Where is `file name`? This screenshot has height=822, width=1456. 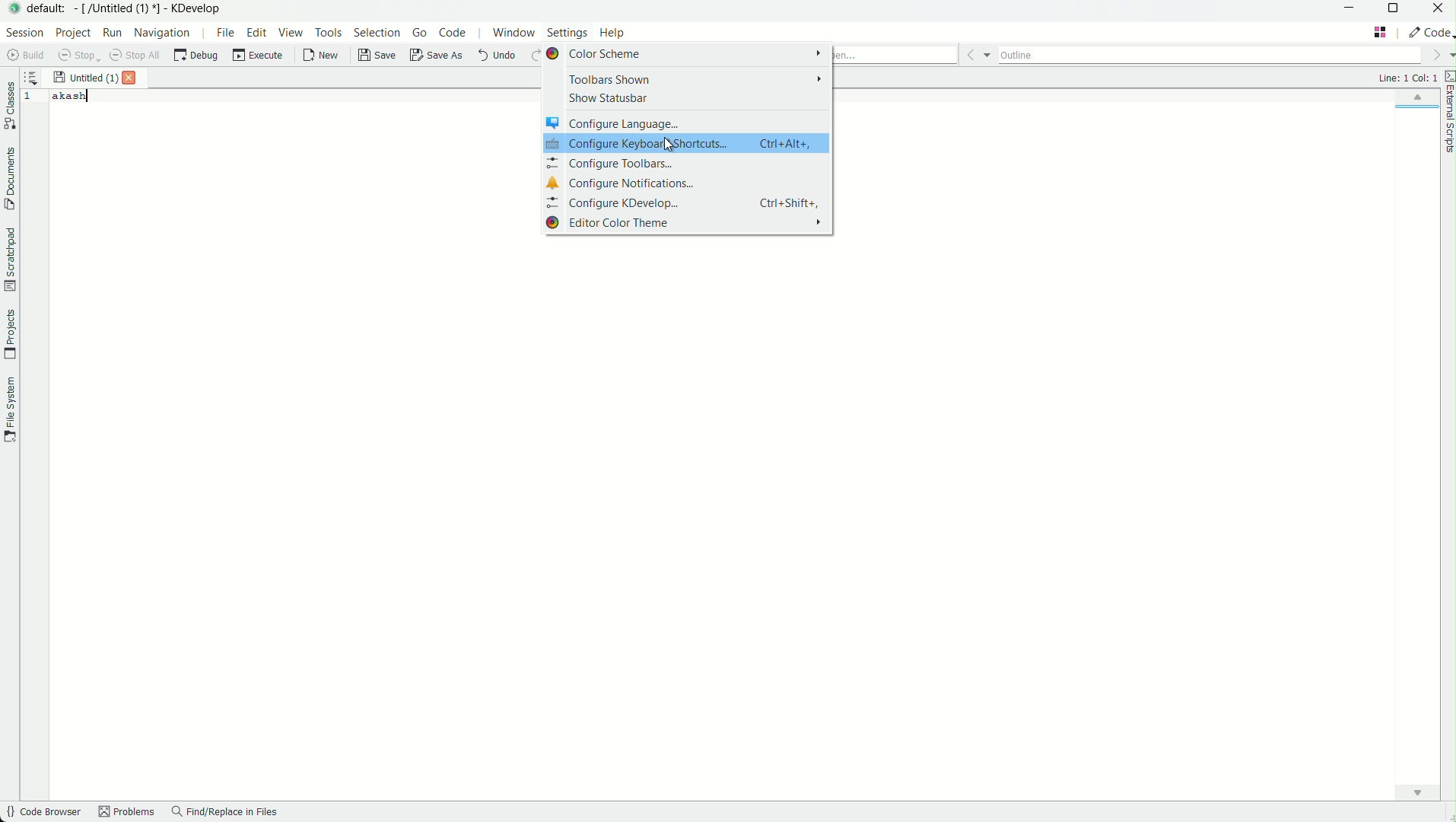
file name is located at coordinates (119, 8).